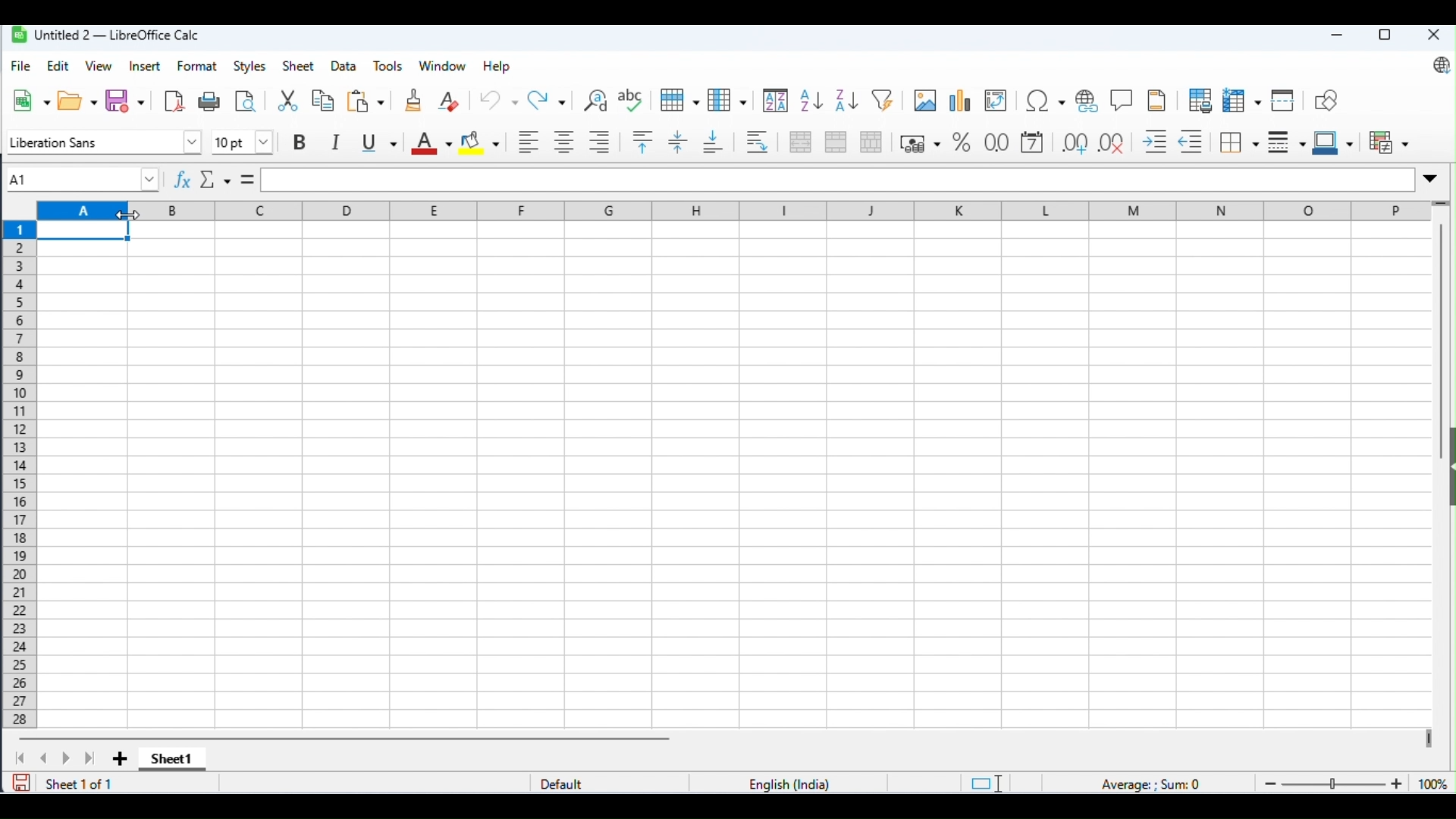  Describe the element at coordinates (1326, 99) in the screenshot. I see `show draw functions` at that location.